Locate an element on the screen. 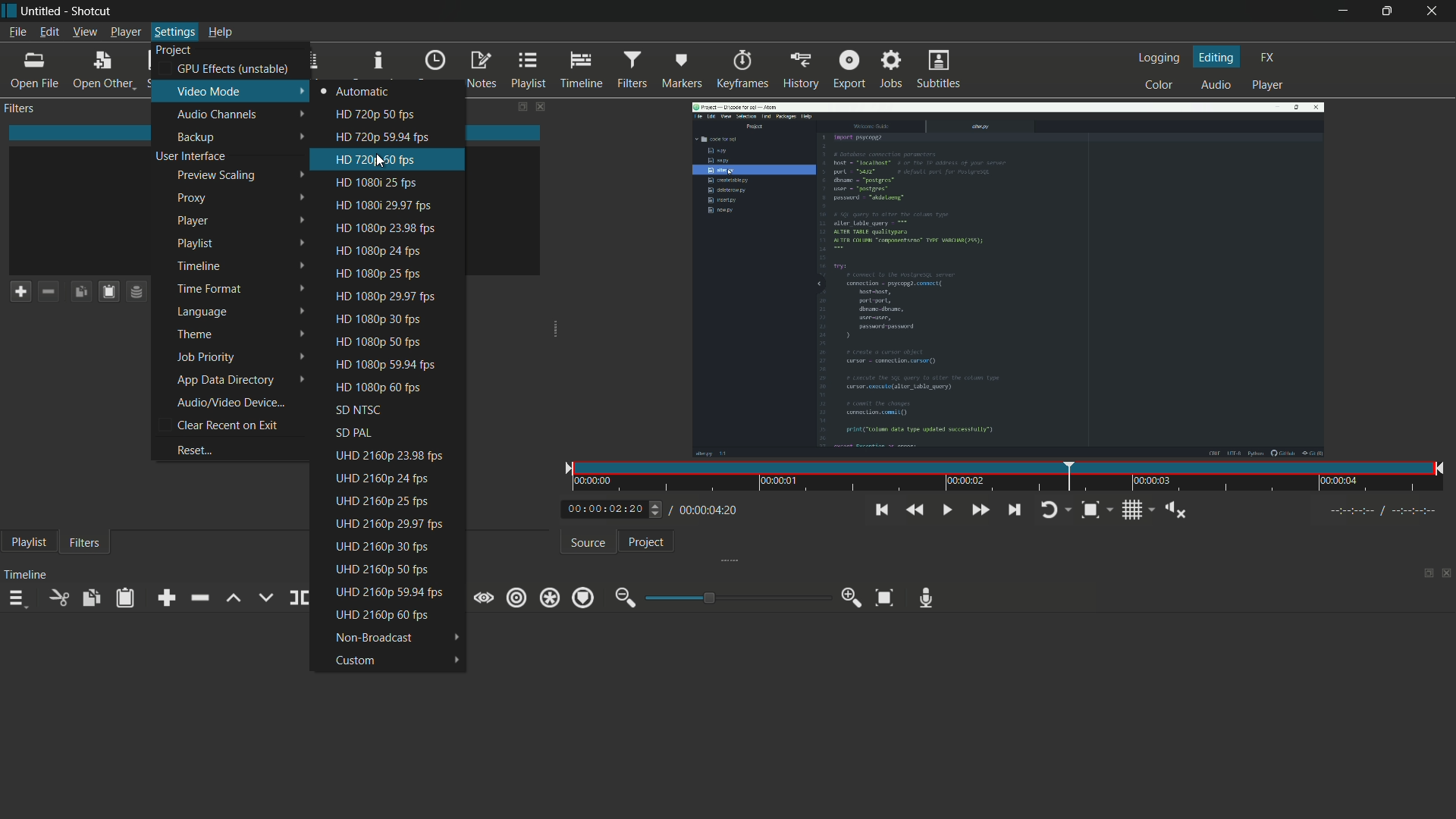 This screenshot has height=819, width=1456. uhd 2160p 59.94 fps is located at coordinates (389, 591).